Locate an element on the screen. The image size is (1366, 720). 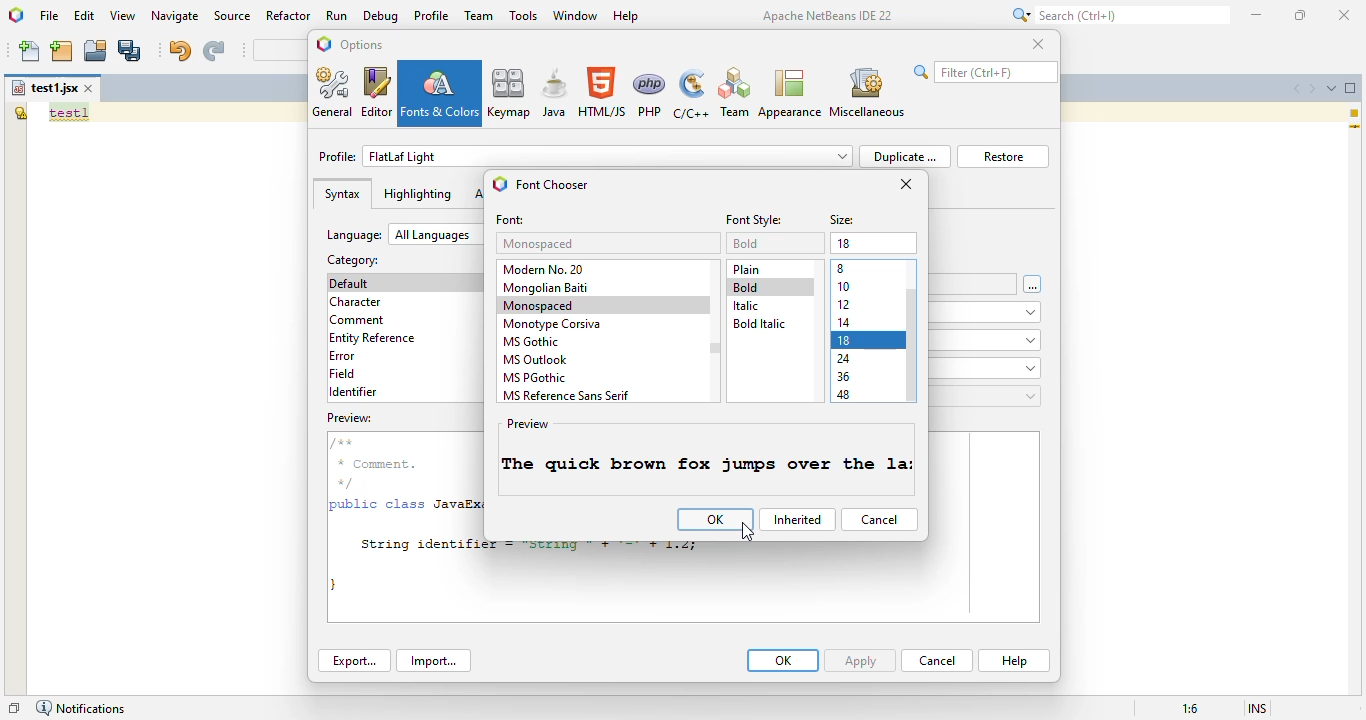
file is located at coordinates (49, 15).